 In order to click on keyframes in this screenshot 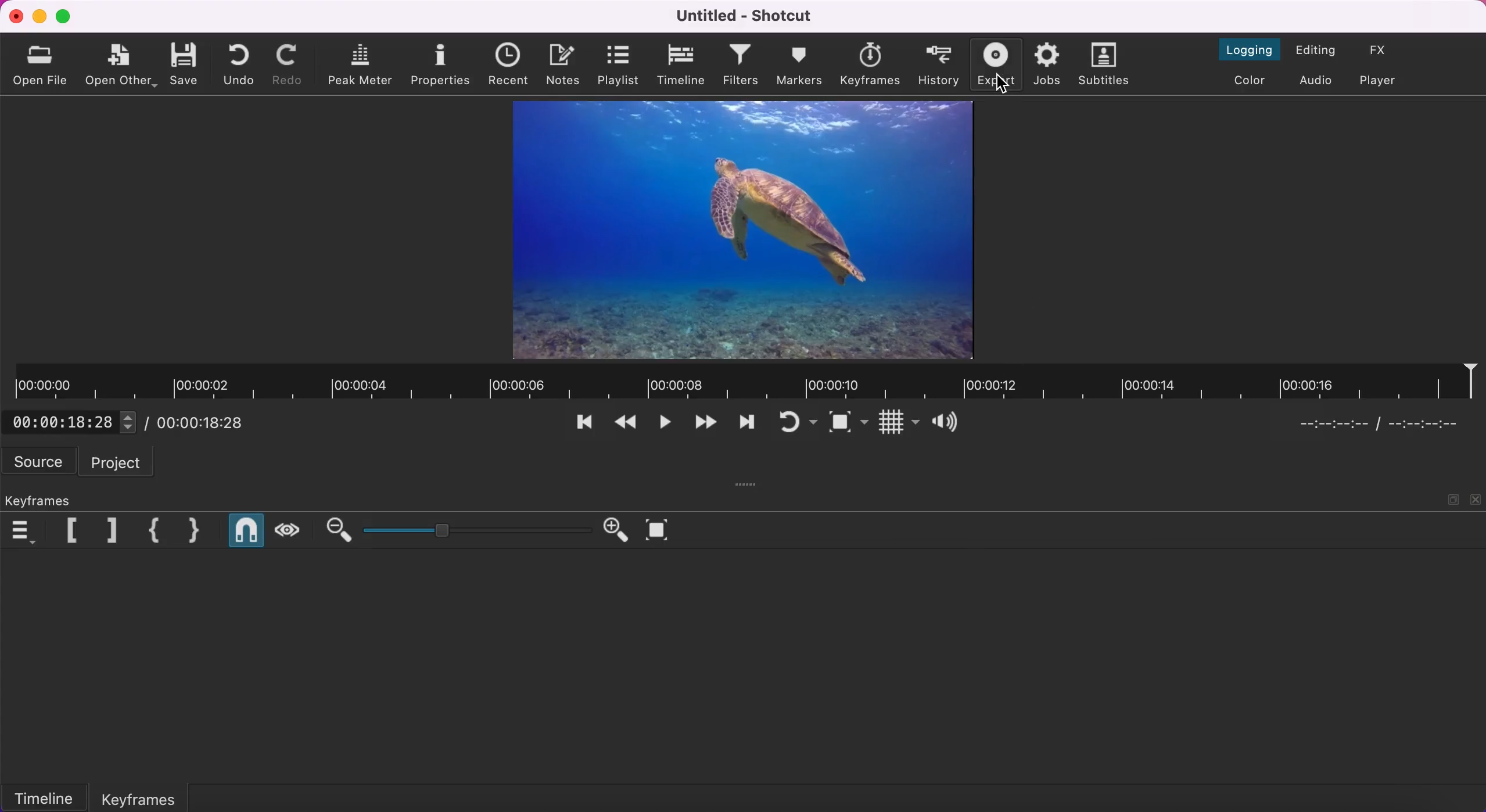, I will do `click(44, 497)`.